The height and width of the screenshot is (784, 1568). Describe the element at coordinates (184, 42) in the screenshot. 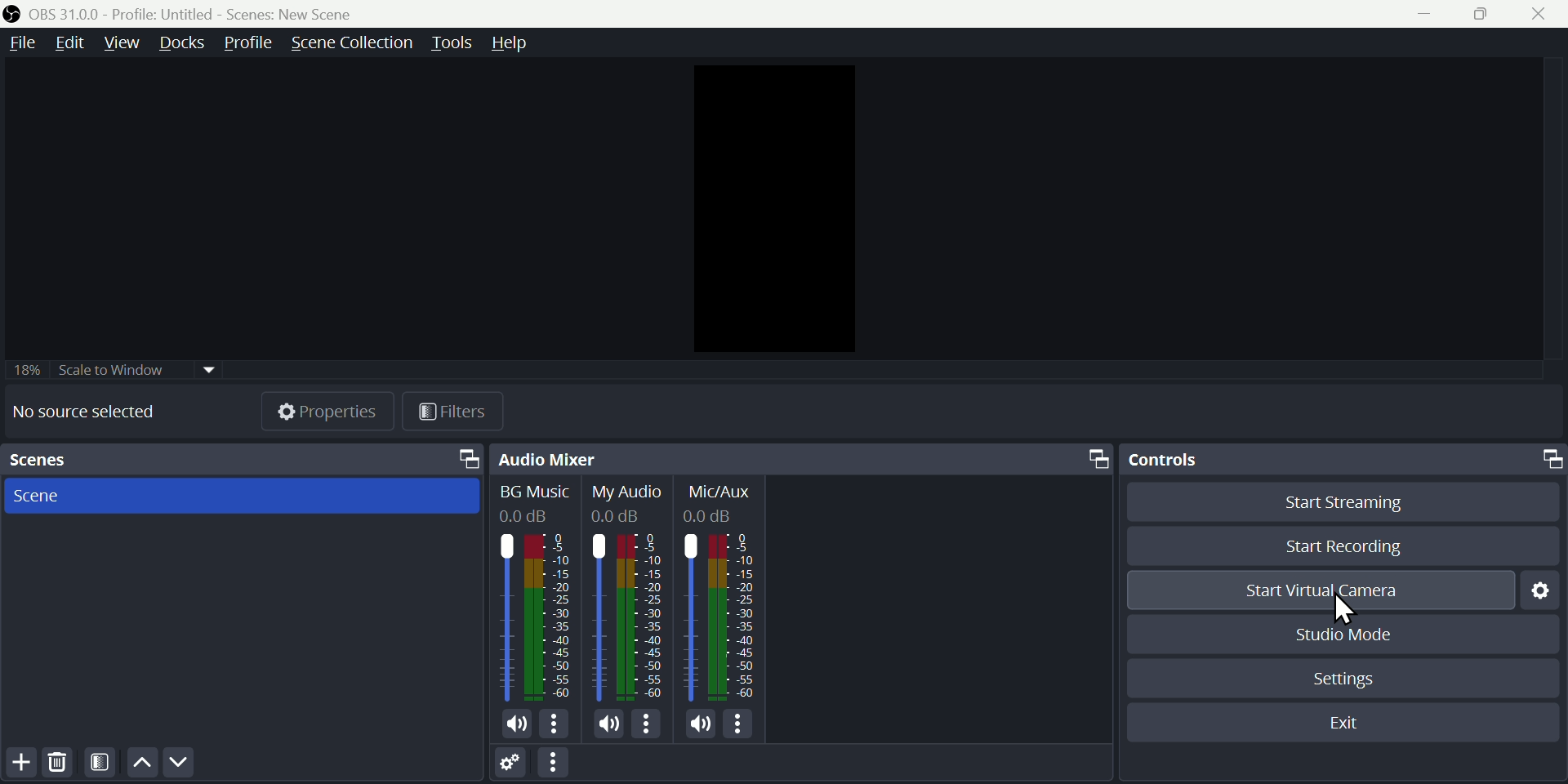

I see `Docks` at that location.